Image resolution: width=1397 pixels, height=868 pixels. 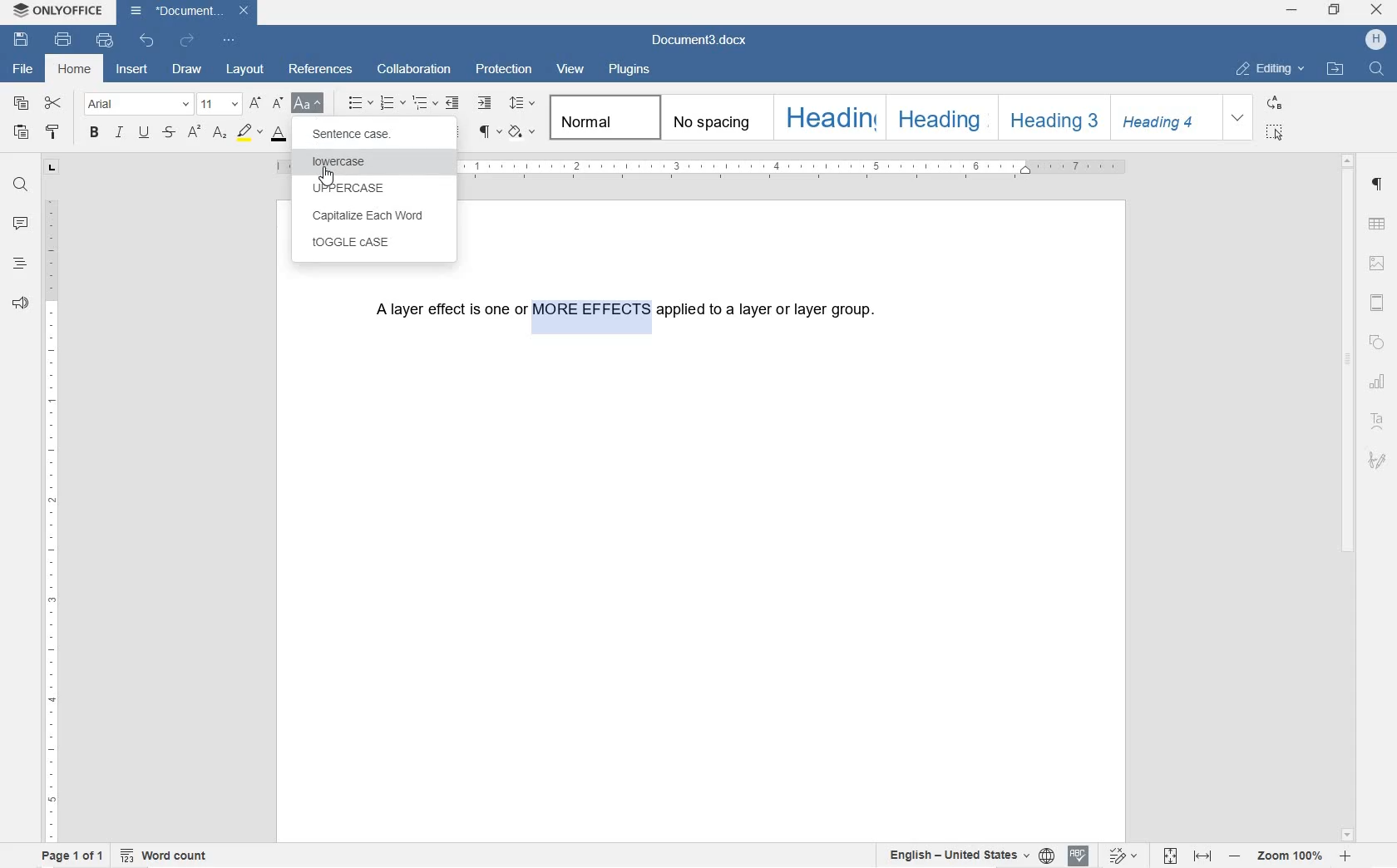 What do you see at coordinates (1276, 132) in the screenshot?
I see `SELECT ALL` at bounding box center [1276, 132].